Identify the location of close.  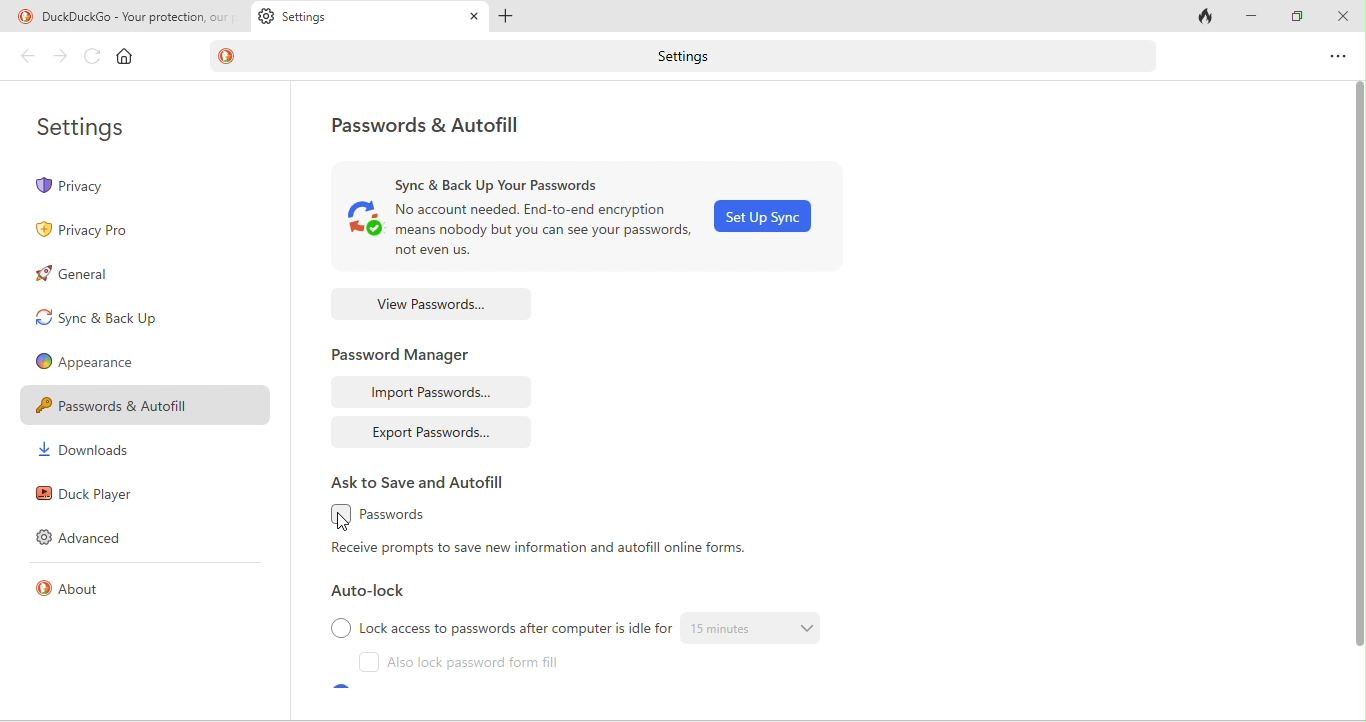
(475, 16).